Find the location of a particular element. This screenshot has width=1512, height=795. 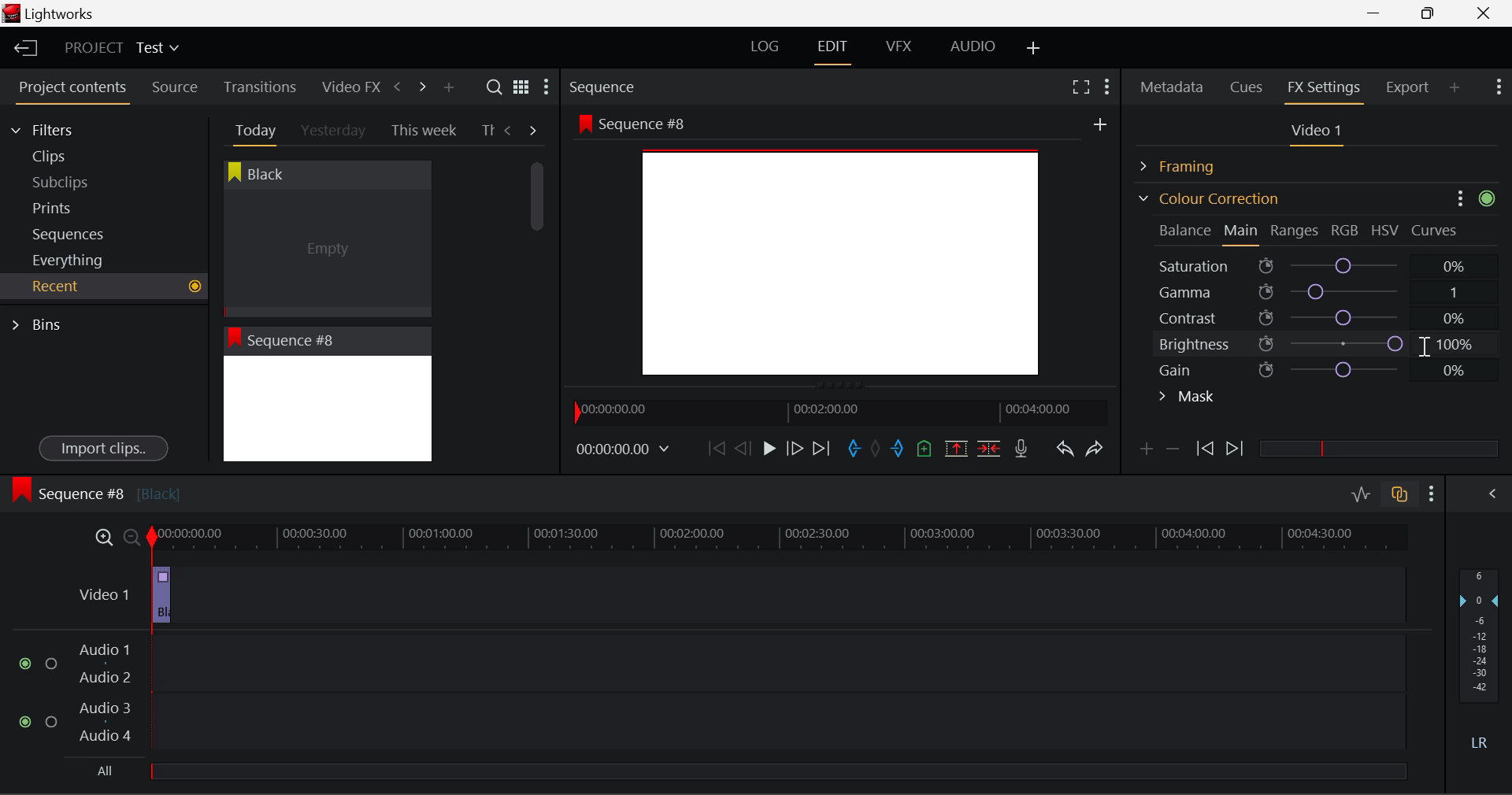

Undo is located at coordinates (1064, 452).